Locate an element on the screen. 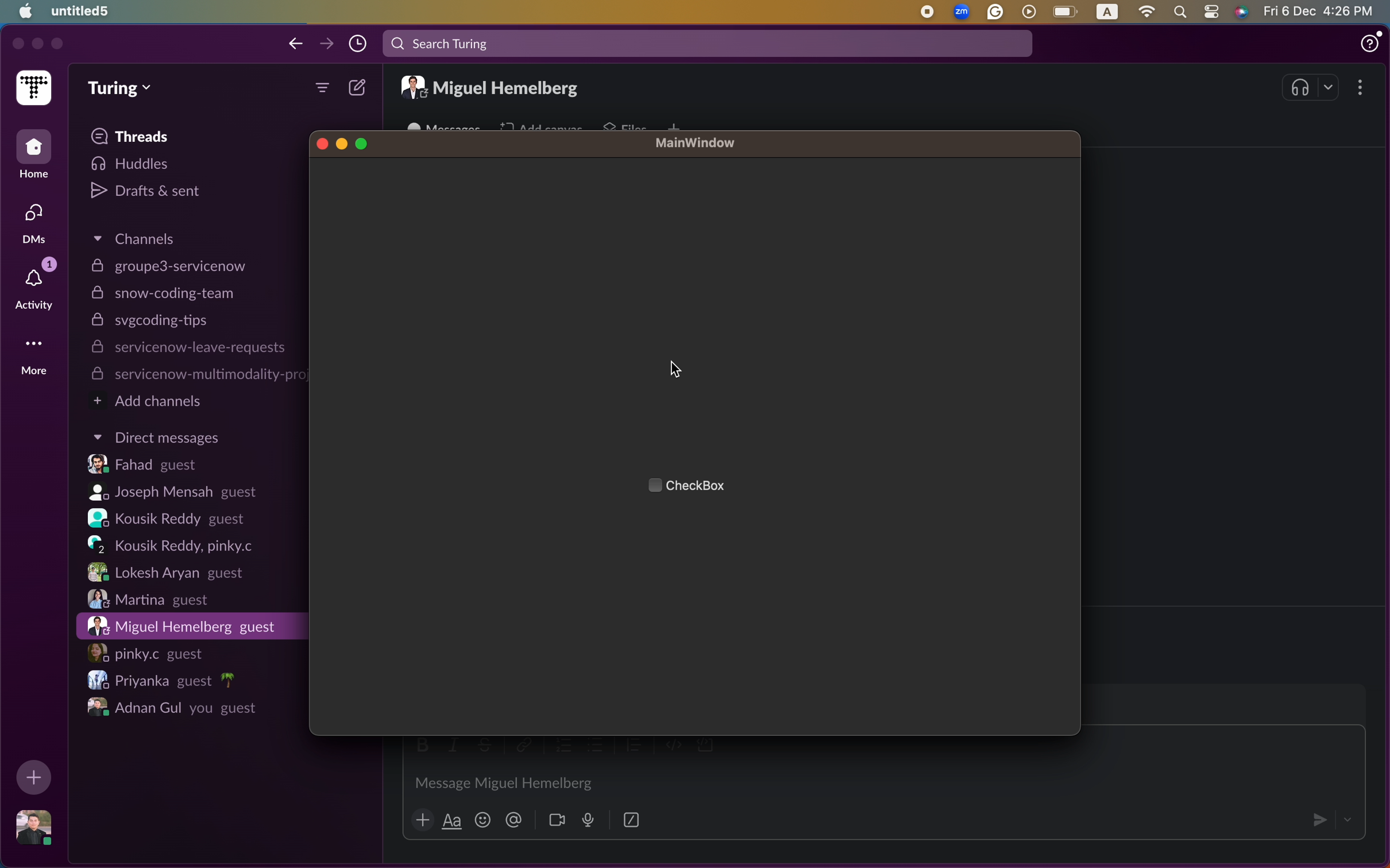 This screenshot has width=1390, height=868. close is located at coordinates (15, 44).